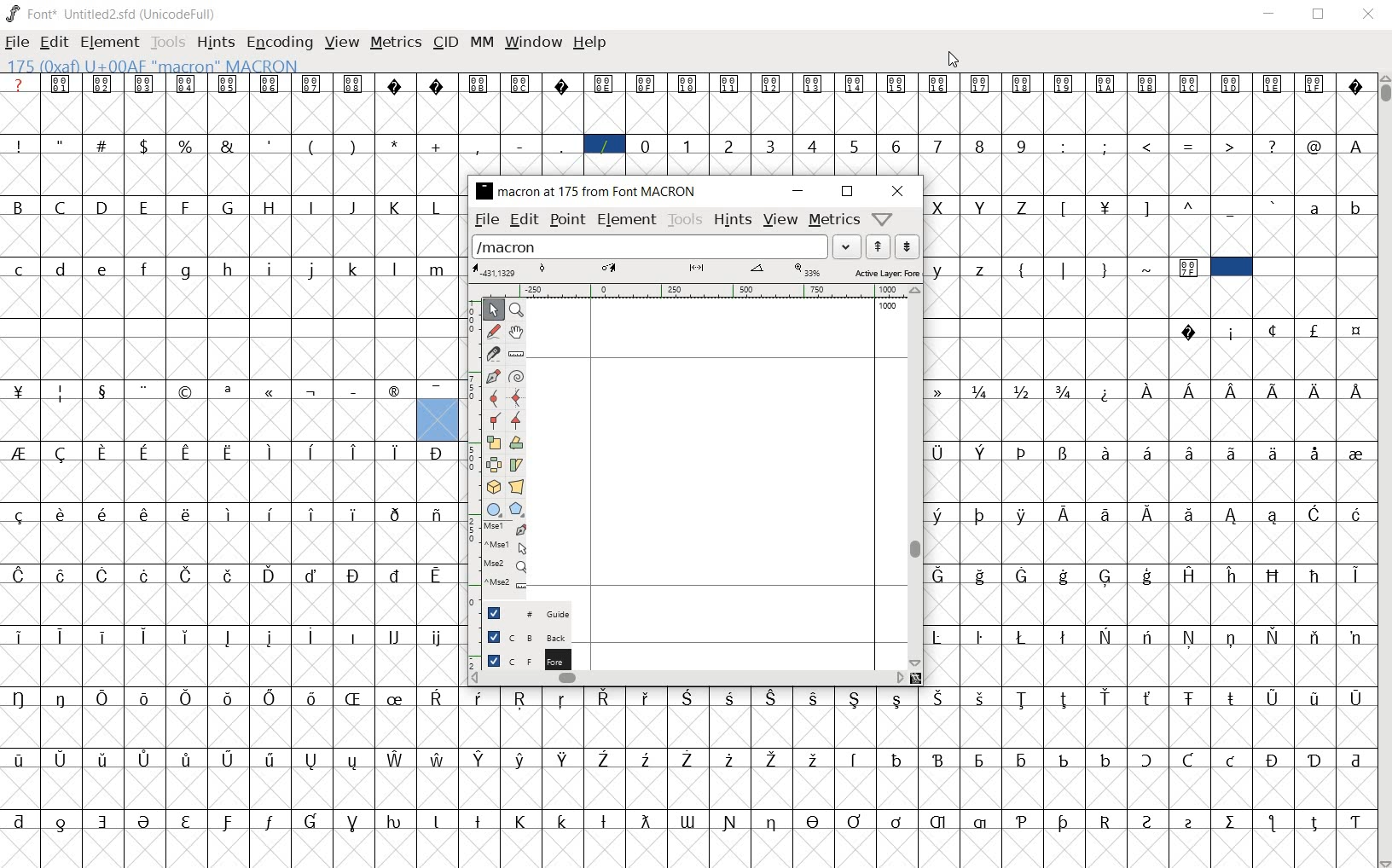  I want to click on Symbol, so click(230, 638).